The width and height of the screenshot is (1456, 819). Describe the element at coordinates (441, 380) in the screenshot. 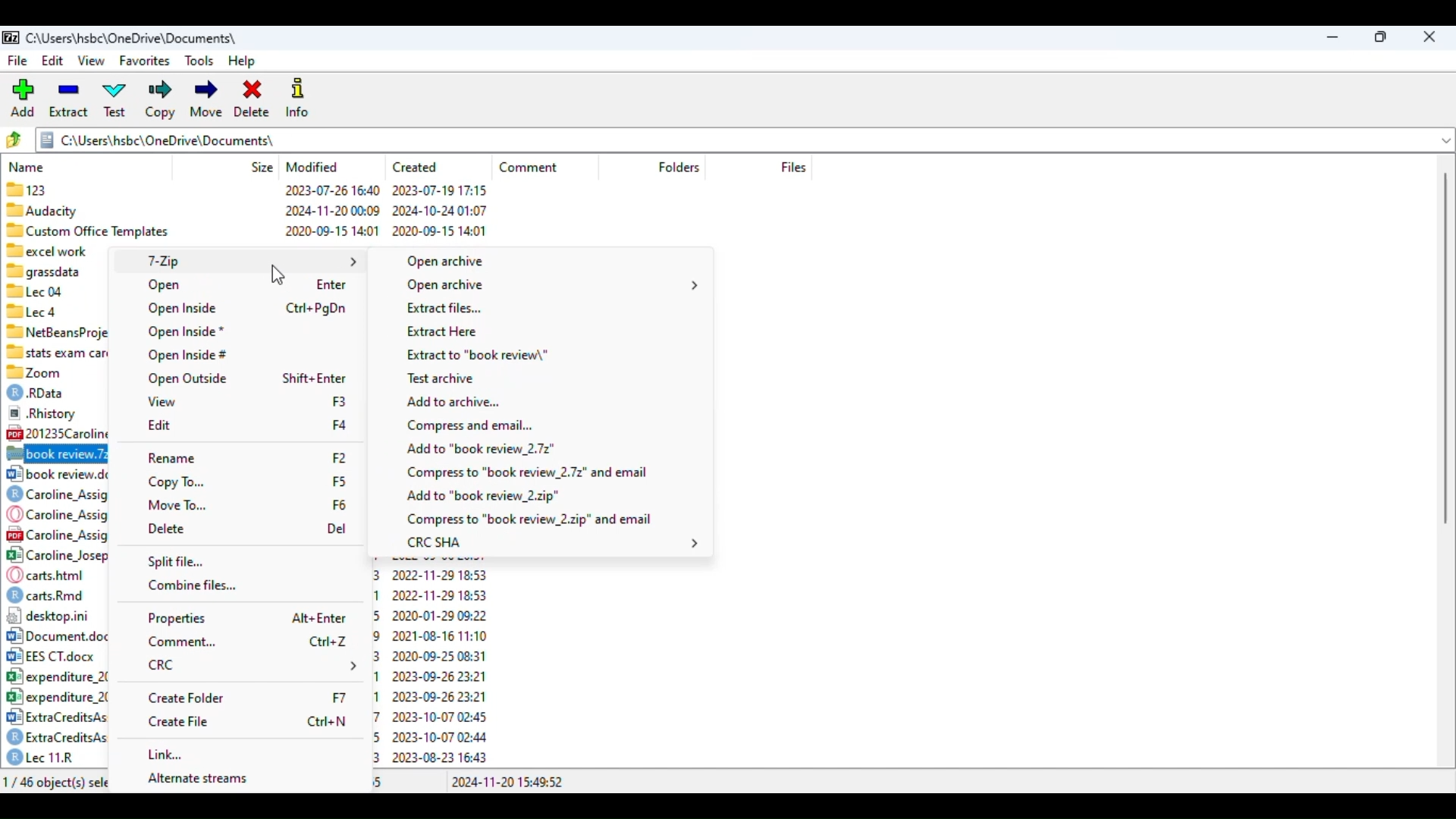

I see `test archive` at that location.